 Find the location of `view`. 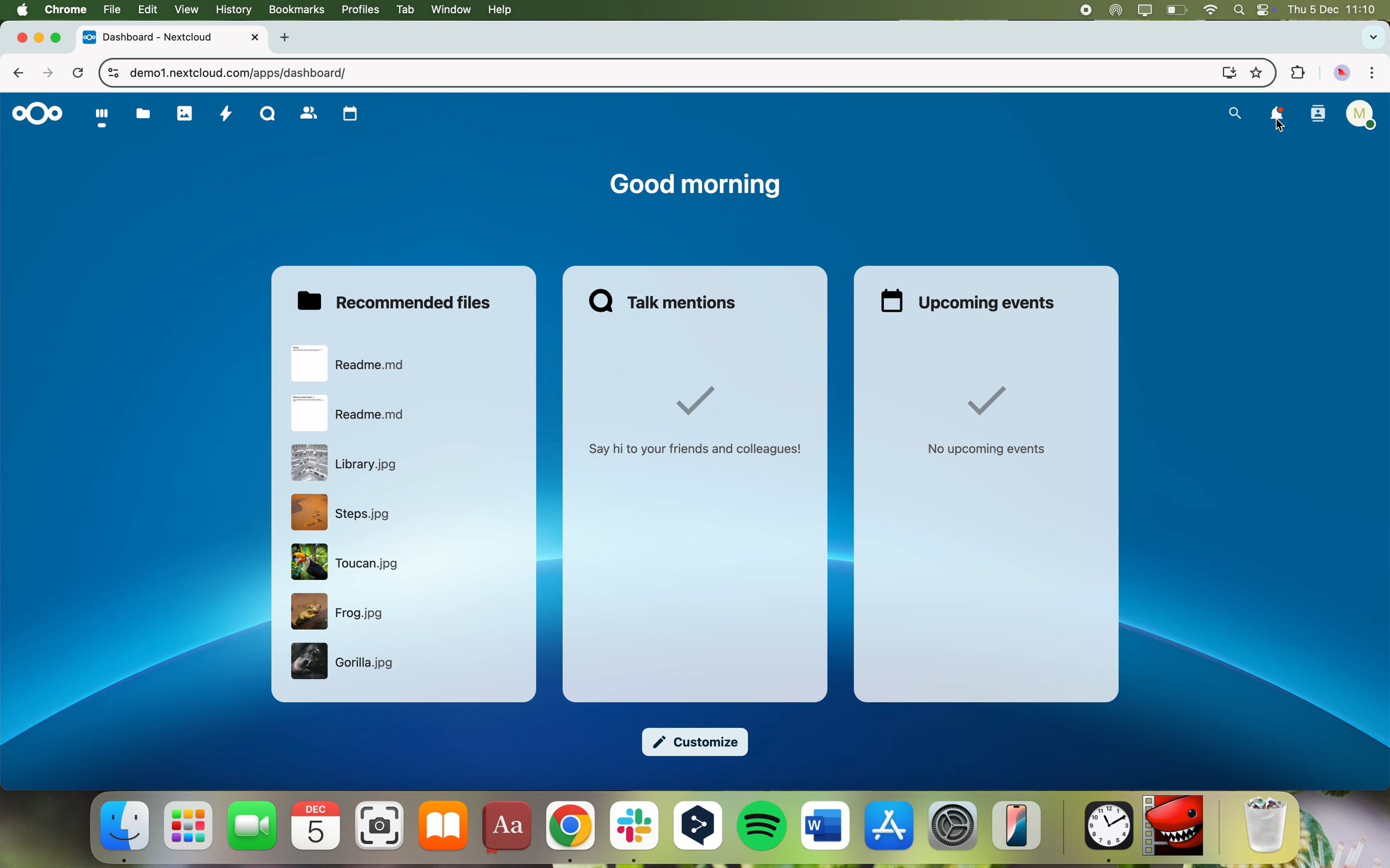

view is located at coordinates (186, 10).